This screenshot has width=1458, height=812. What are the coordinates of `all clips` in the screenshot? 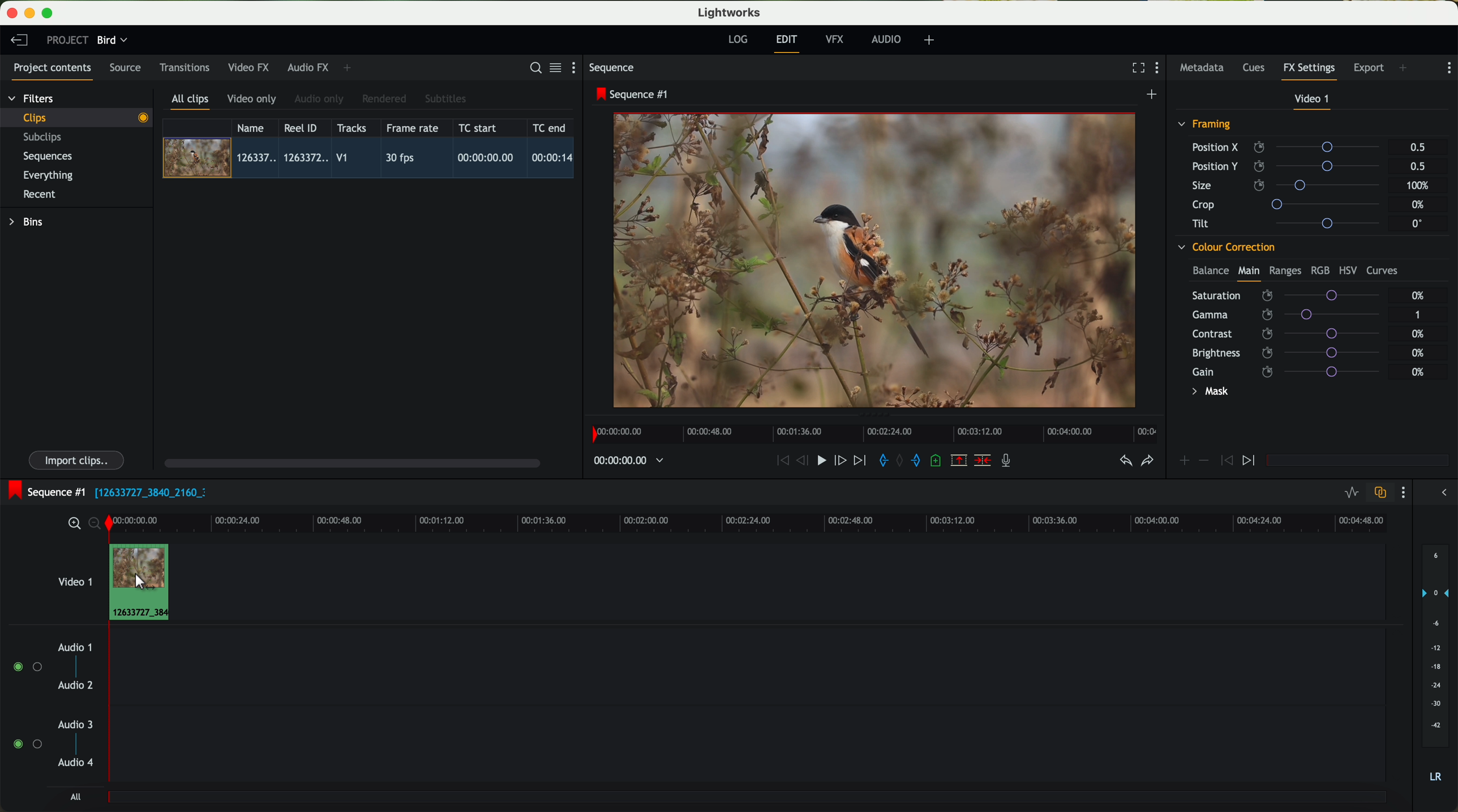 It's located at (191, 102).